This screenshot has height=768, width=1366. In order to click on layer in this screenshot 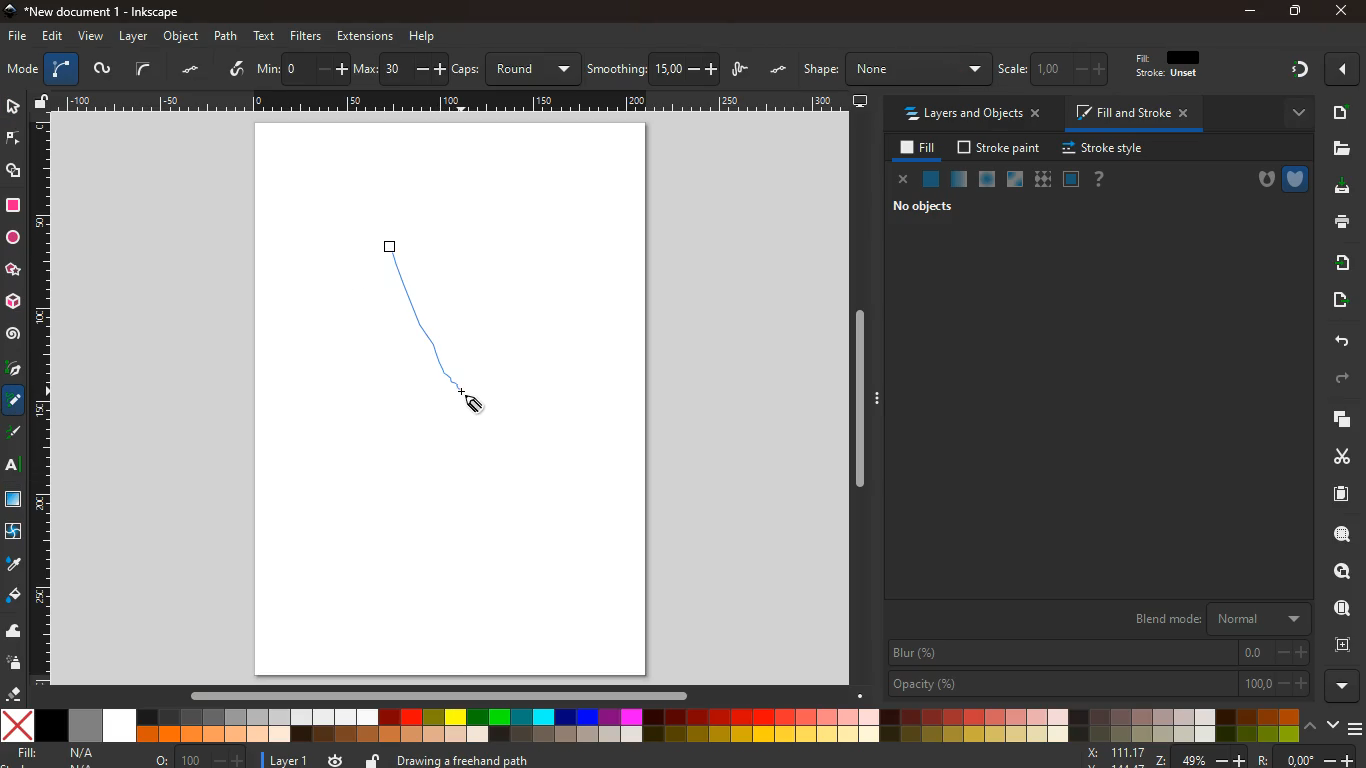, I will do `click(290, 761)`.